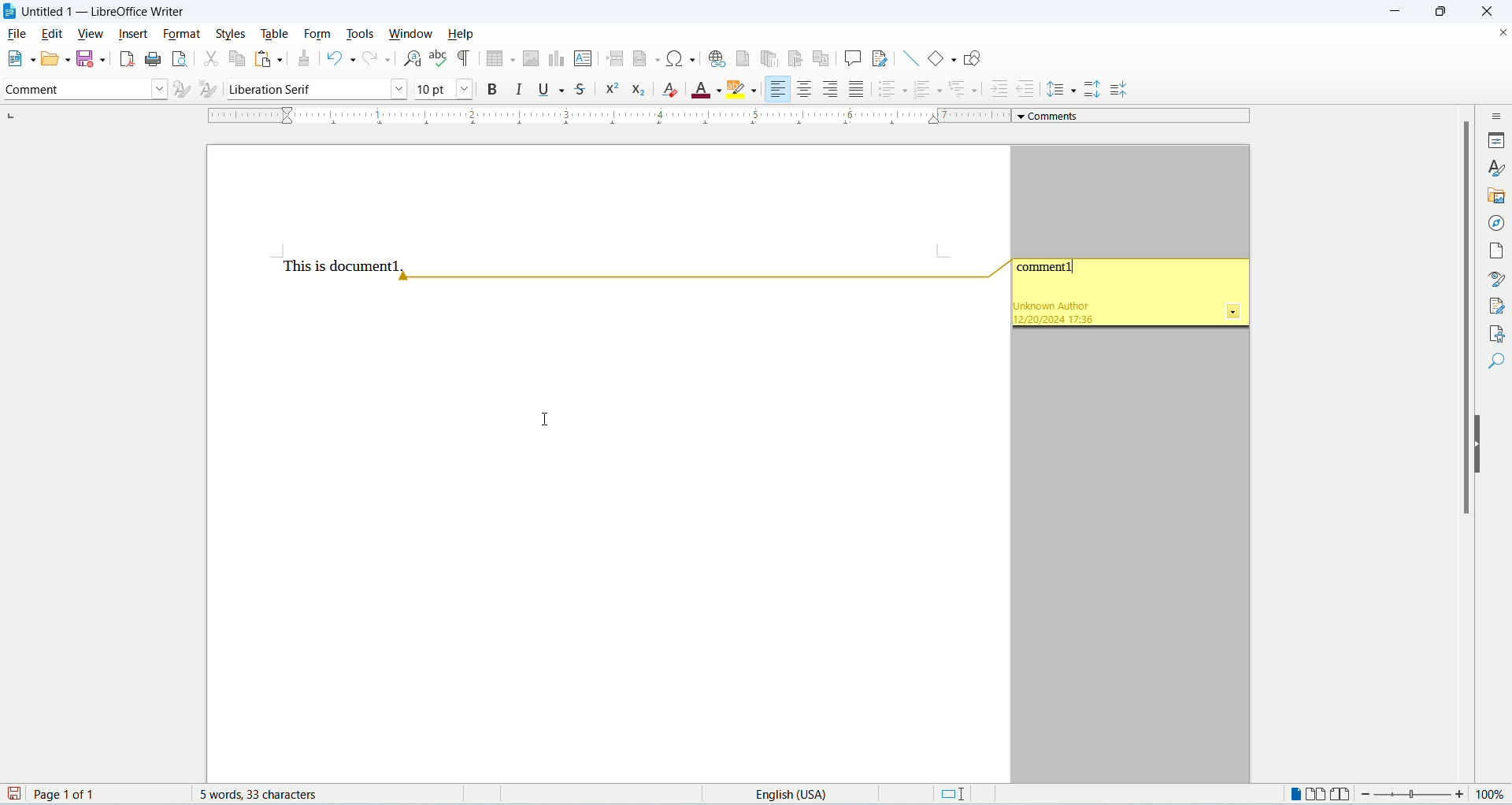 This screenshot has height=805, width=1512. I want to click on minimize, so click(1401, 11).